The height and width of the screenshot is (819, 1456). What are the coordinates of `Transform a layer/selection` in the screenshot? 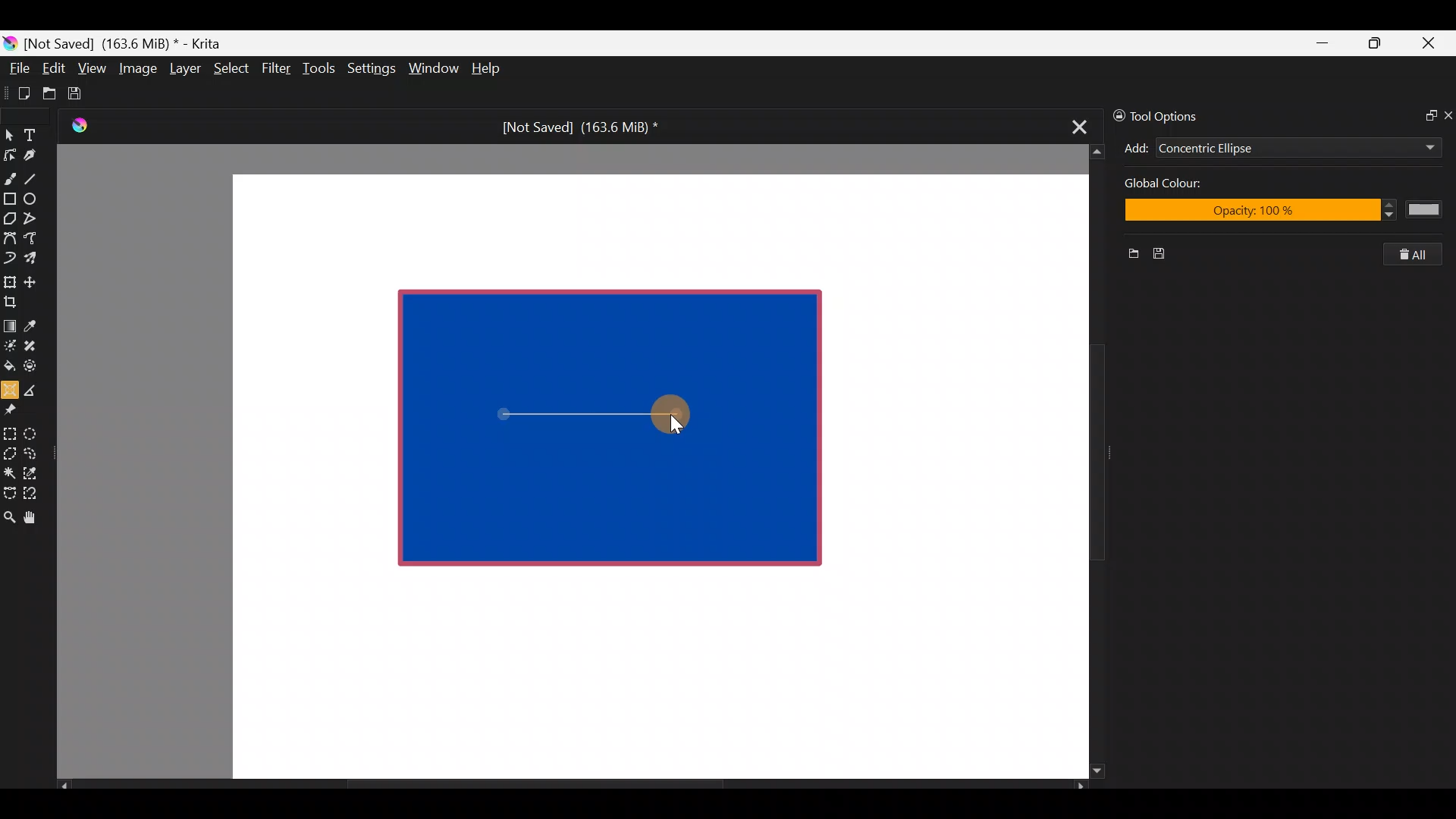 It's located at (9, 279).